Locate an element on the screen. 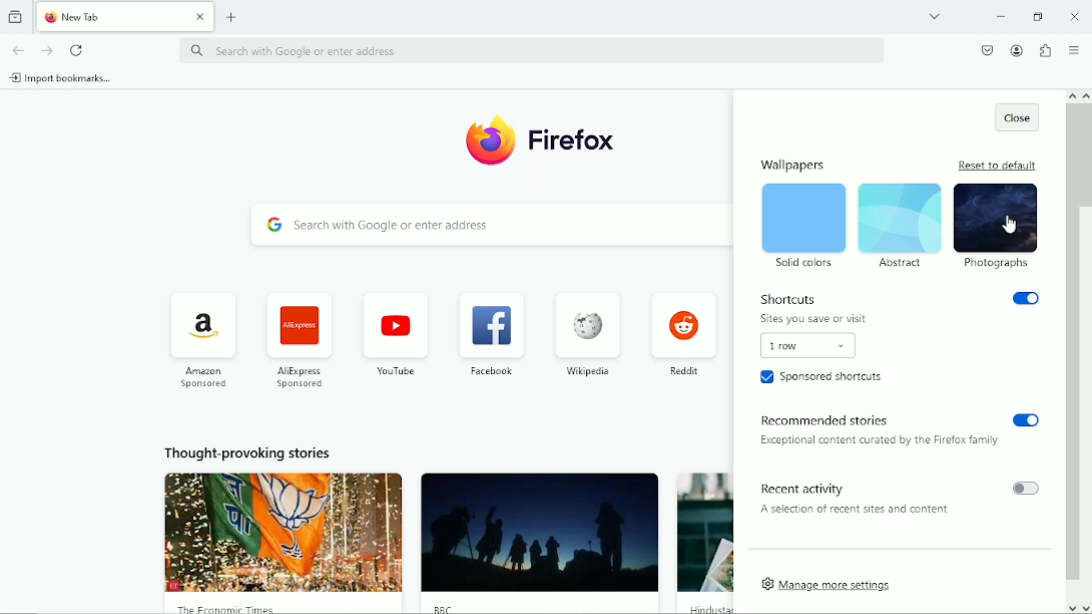 This screenshot has height=614, width=1092. scroll up is located at coordinates (1085, 95).